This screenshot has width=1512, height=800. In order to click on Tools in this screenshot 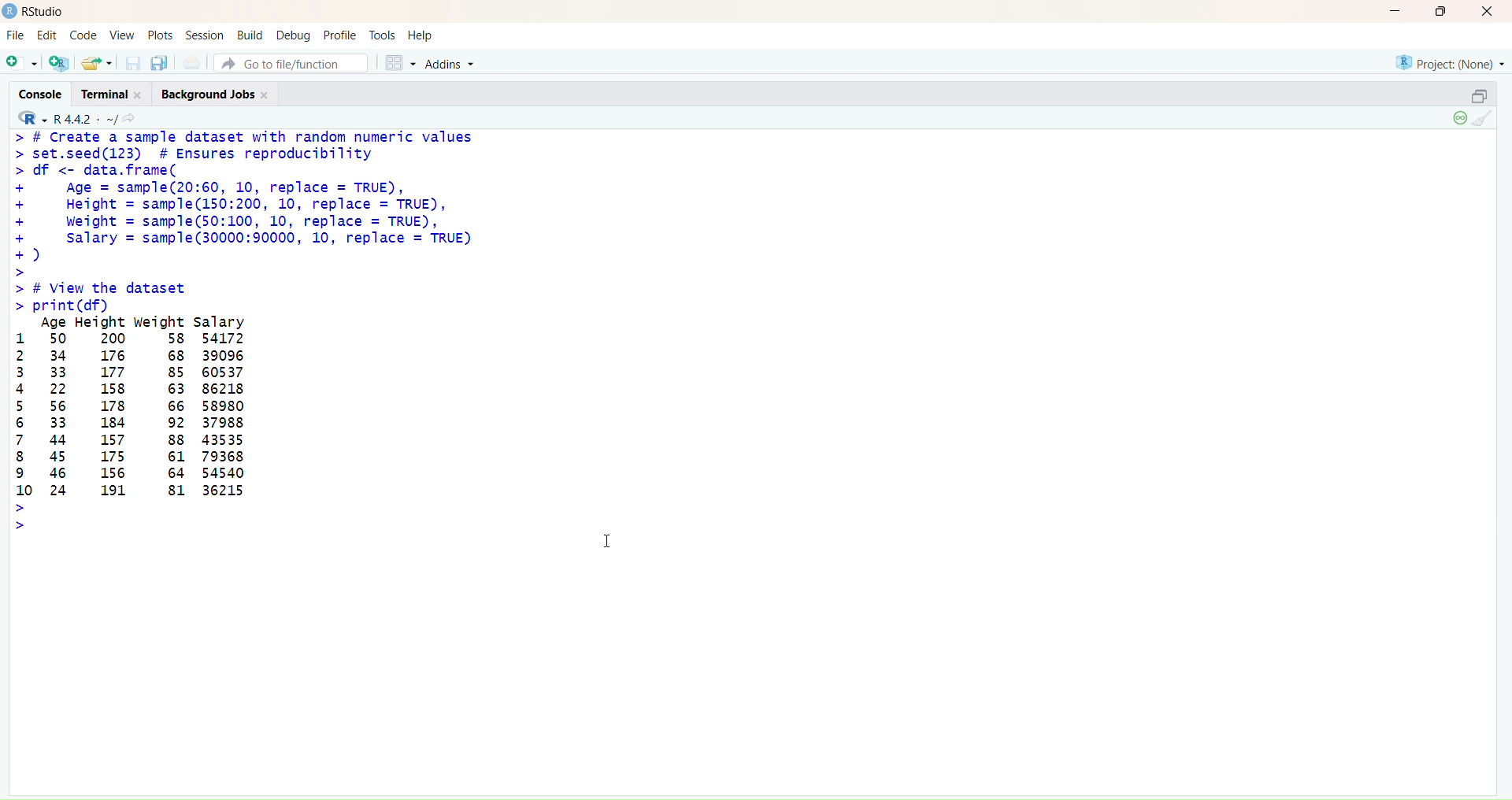, I will do `click(381, 34)`.